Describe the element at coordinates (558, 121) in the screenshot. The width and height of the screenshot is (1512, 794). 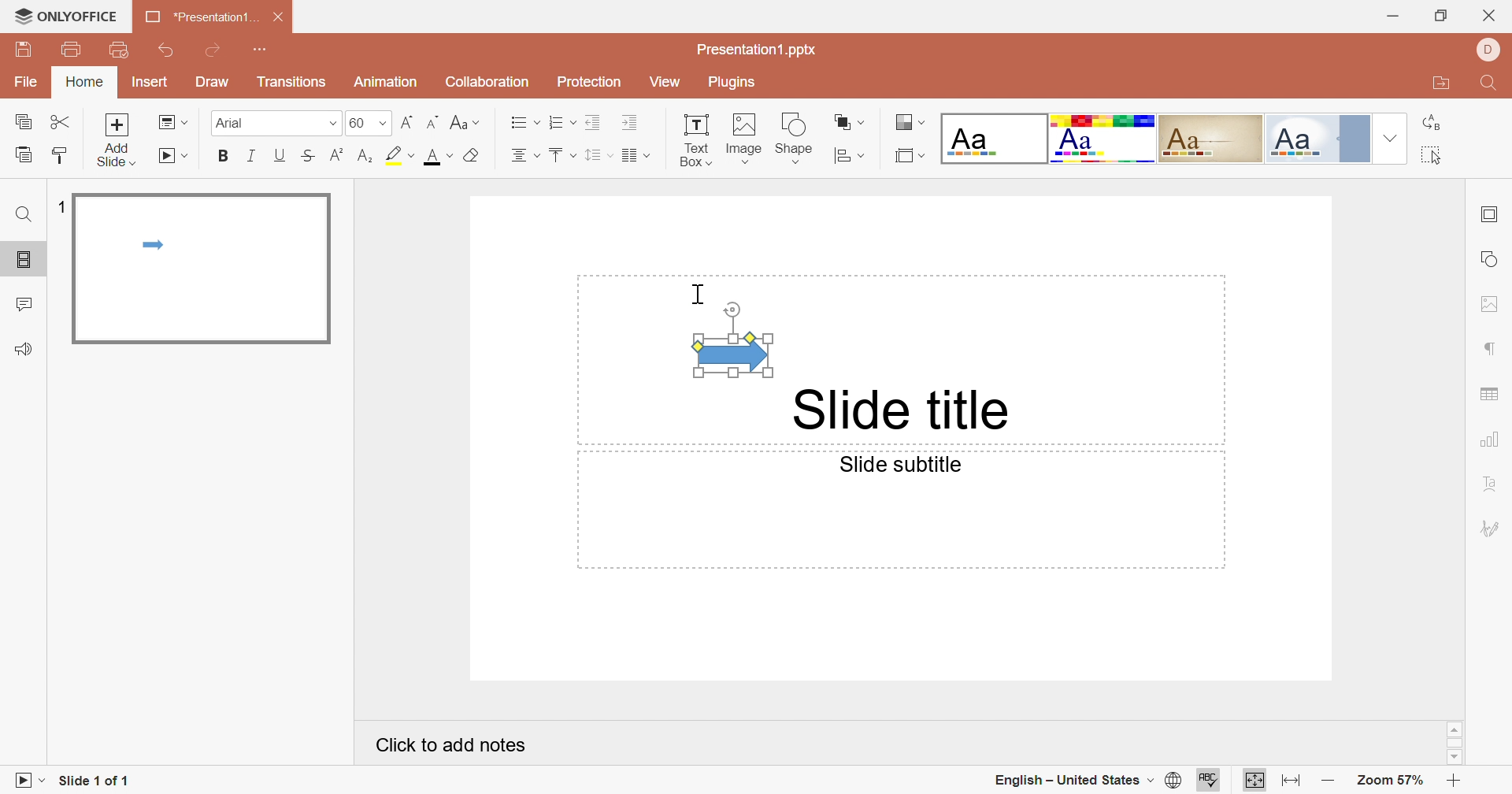
I see `Numbering` at that location.